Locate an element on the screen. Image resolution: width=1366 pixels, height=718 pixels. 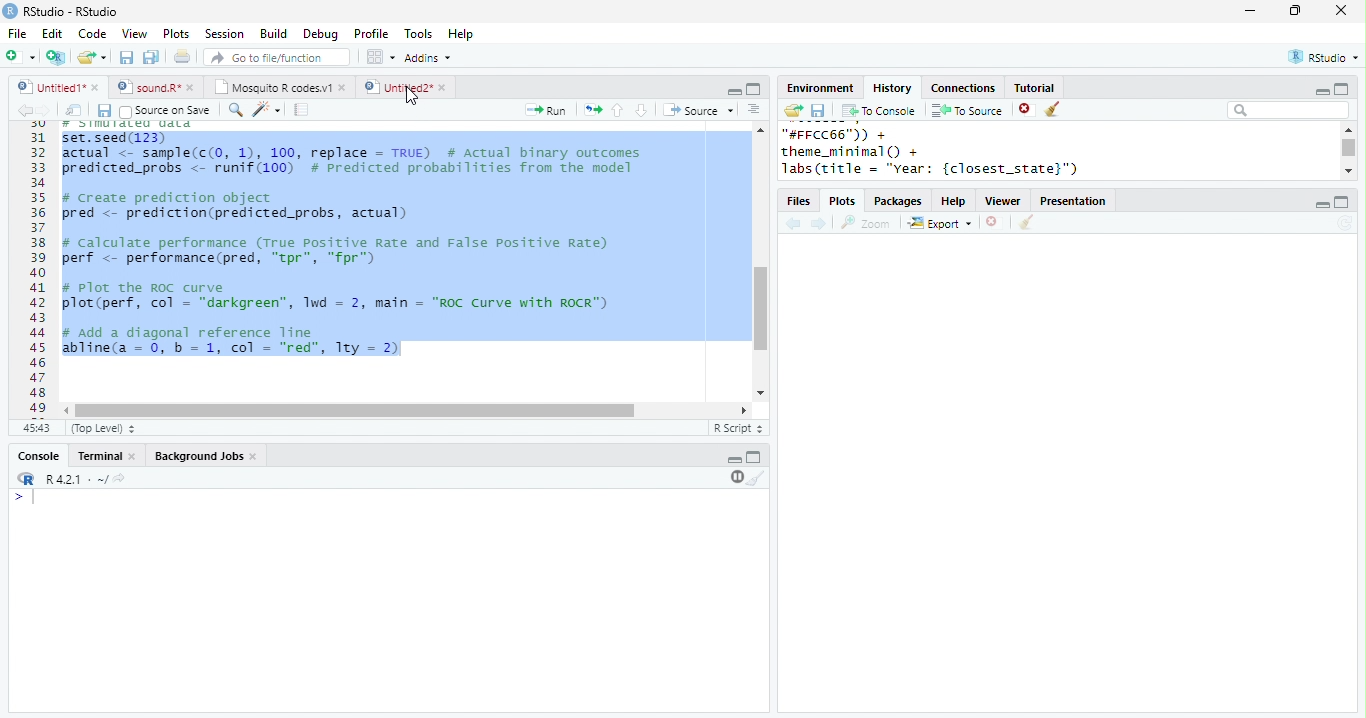
scroll right is located at coordinates (740, 410).